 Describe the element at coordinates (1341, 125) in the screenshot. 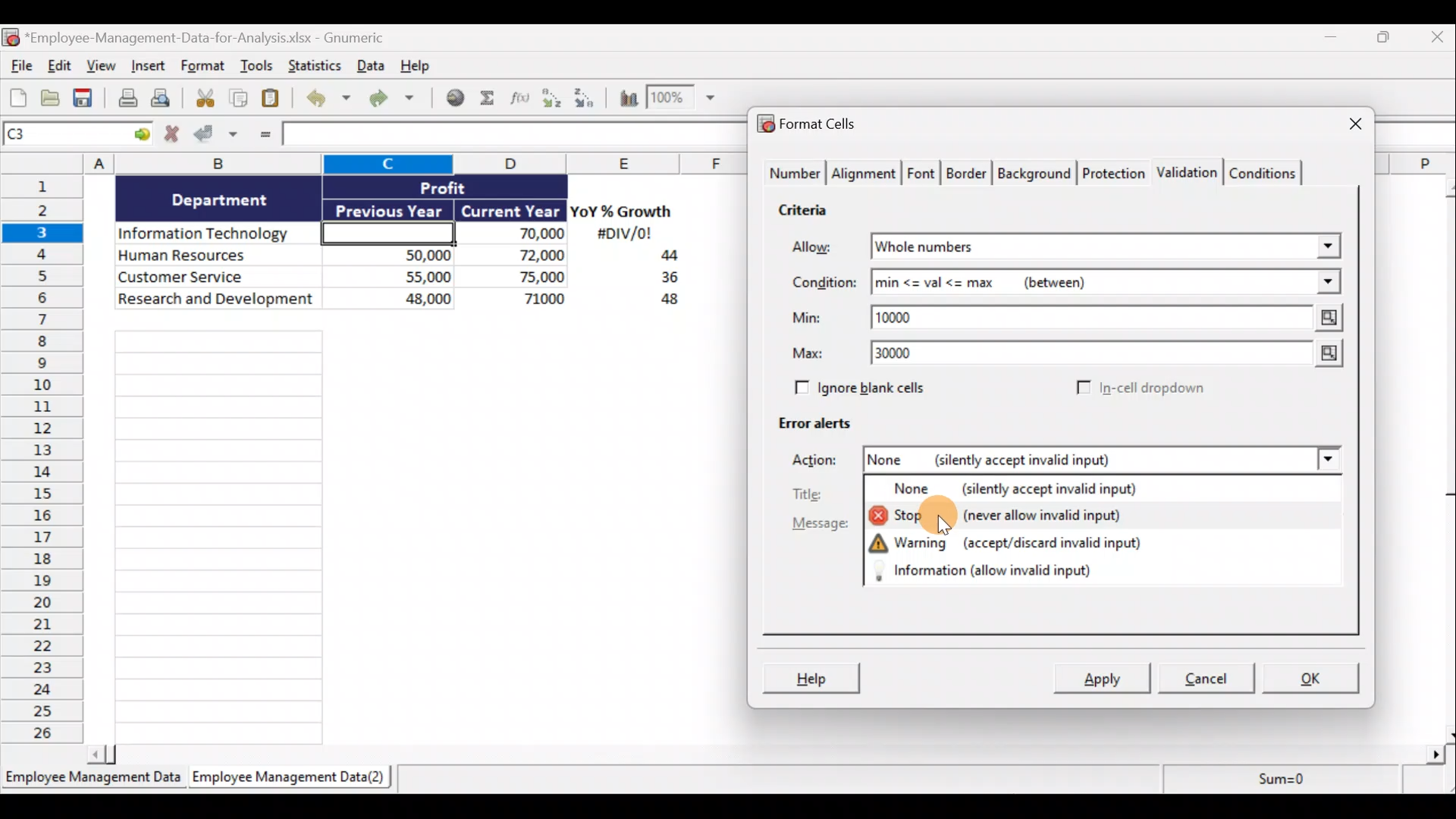

I see `Close` at that location.